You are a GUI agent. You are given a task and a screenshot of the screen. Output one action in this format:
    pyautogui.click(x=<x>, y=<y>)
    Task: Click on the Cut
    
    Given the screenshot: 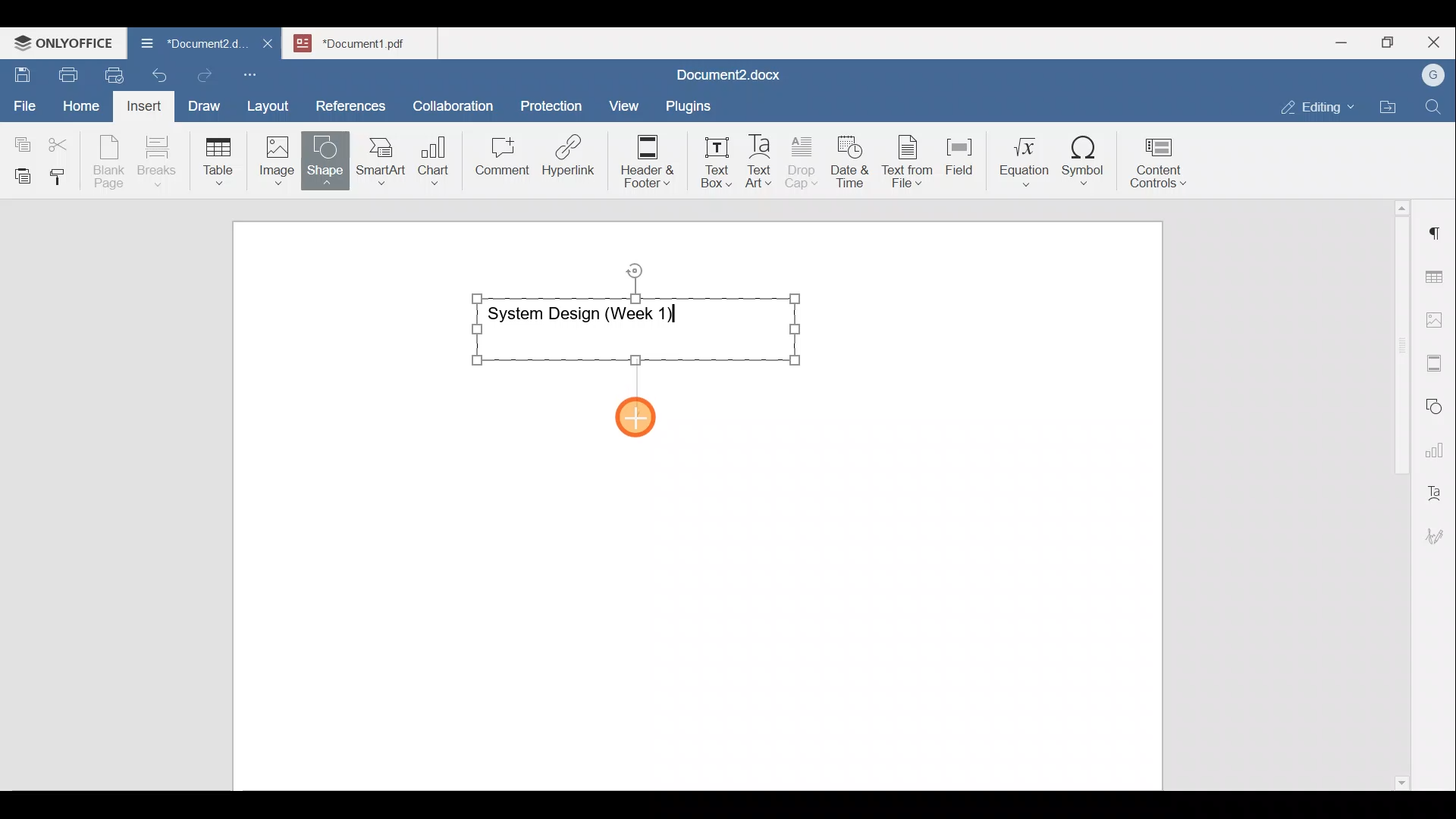 What is the action you would take?
    pyautogui.click(x=64, y=141)
    